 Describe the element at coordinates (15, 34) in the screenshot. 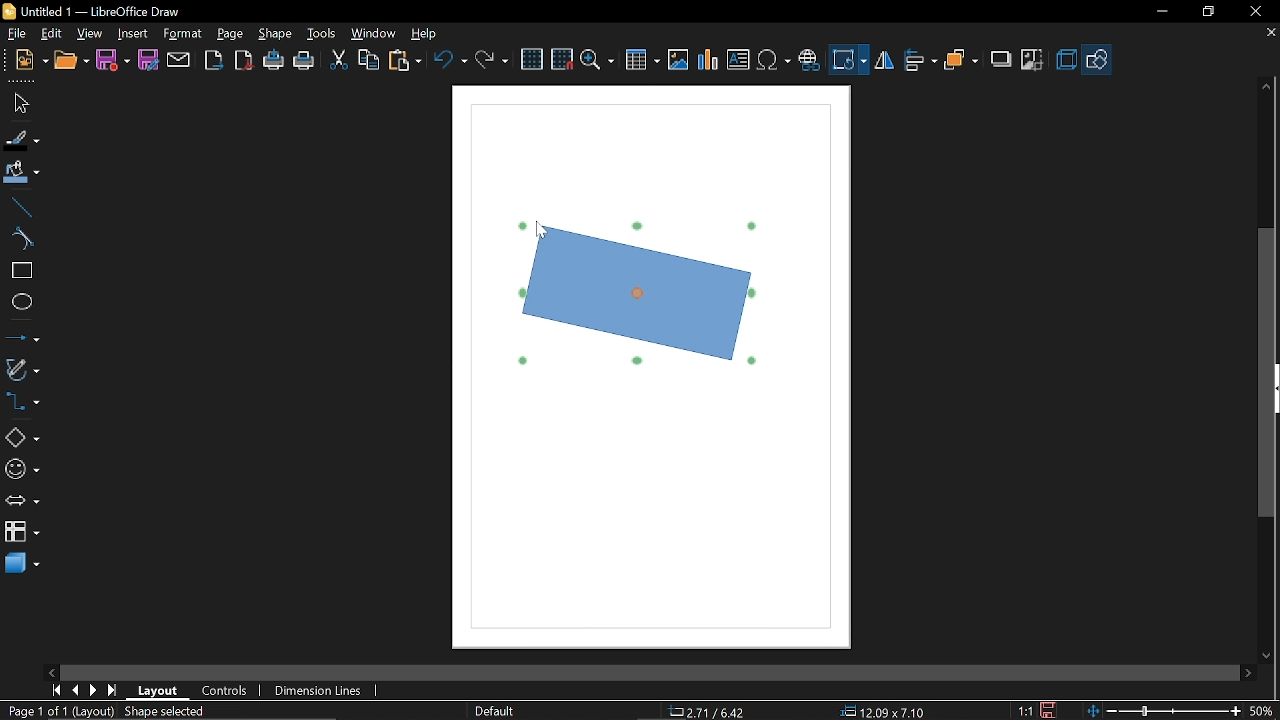

I see `file ` at that location.